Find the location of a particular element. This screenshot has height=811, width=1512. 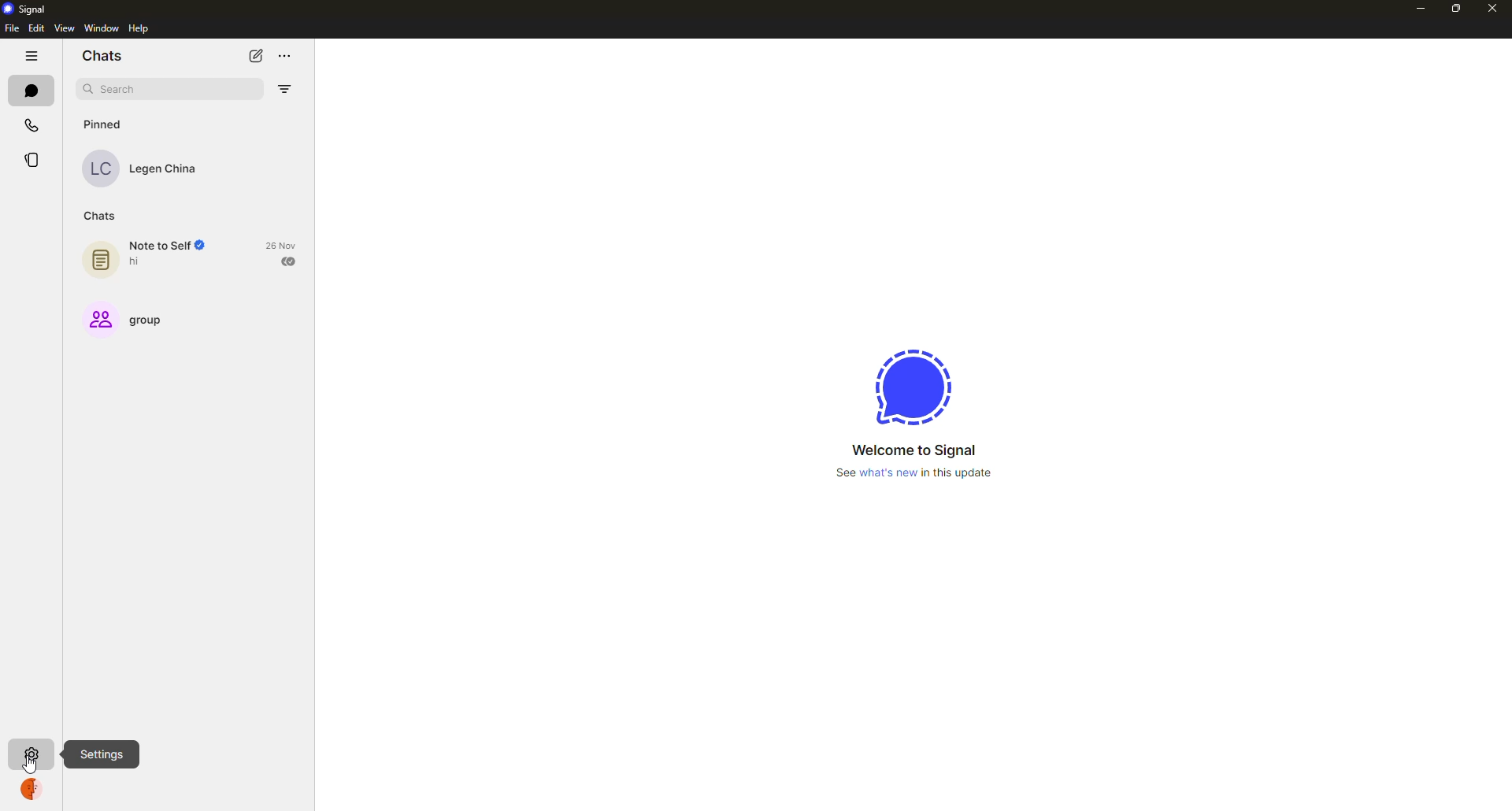

help is located at coordinates (139, 30).